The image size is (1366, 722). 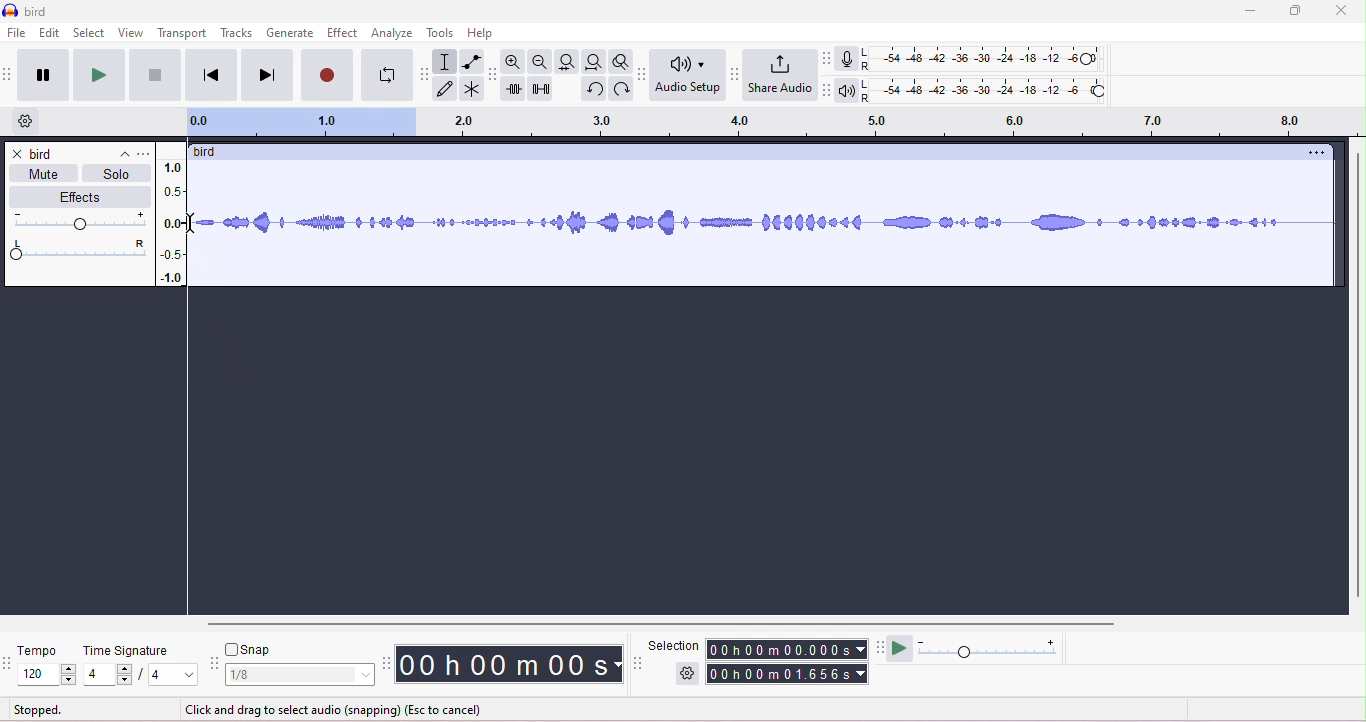 What do you see at coordinates (762, 218) in the screenshot?
I see `waveform` at bounding box center [762, 218].